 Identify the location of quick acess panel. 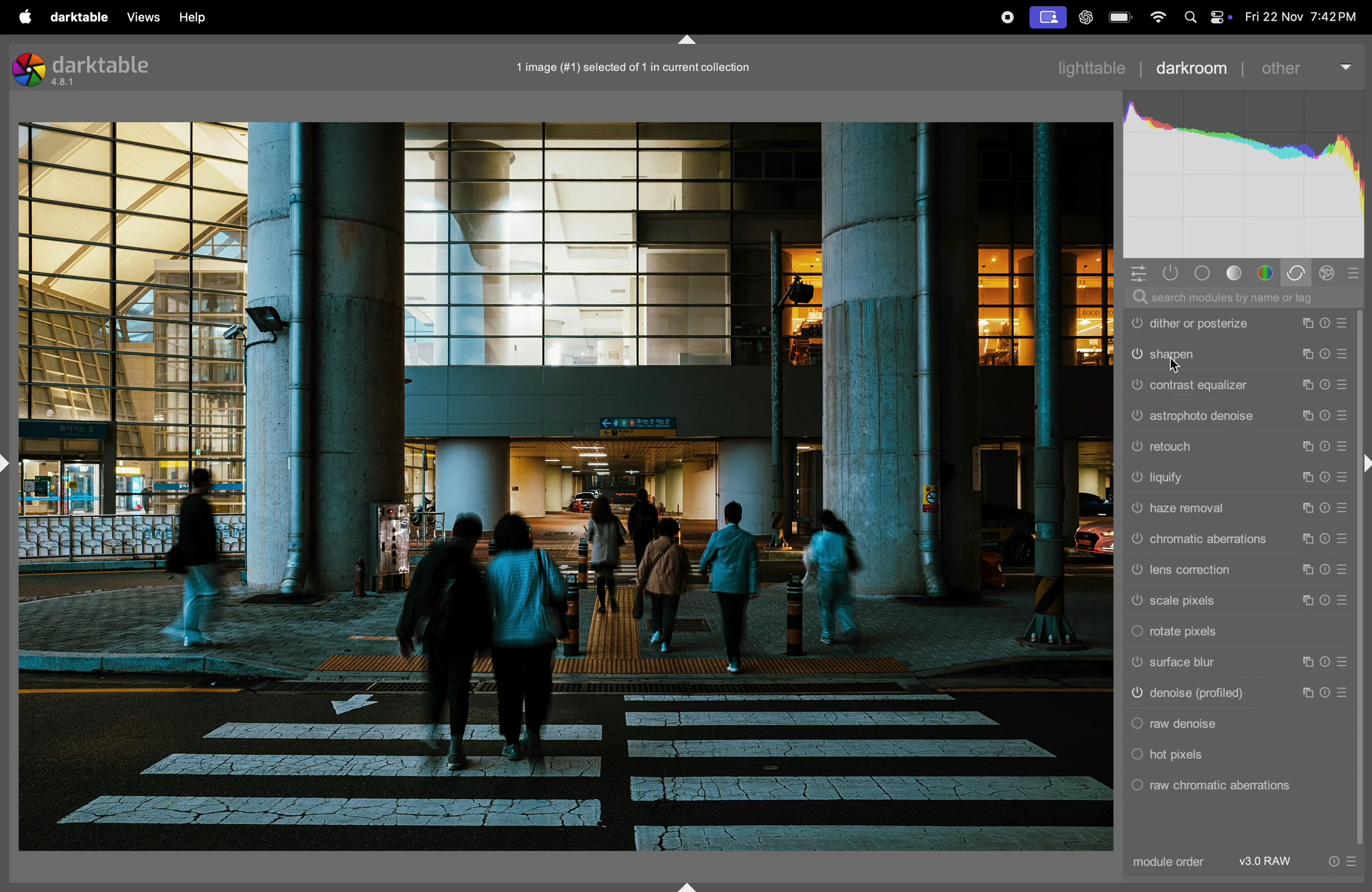
(1139, 273).